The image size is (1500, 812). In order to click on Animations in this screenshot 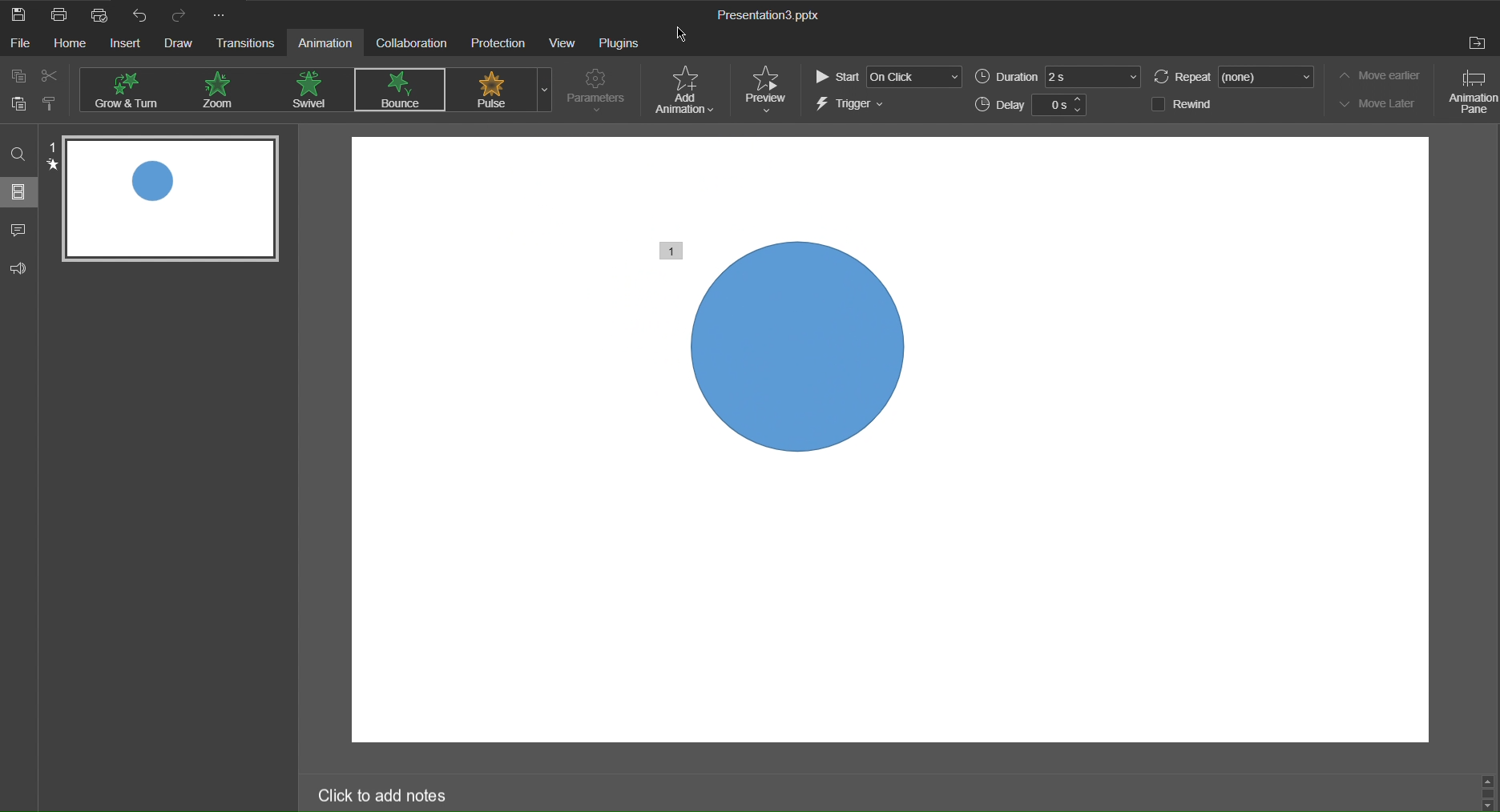, I will do `click(399, 88)`.